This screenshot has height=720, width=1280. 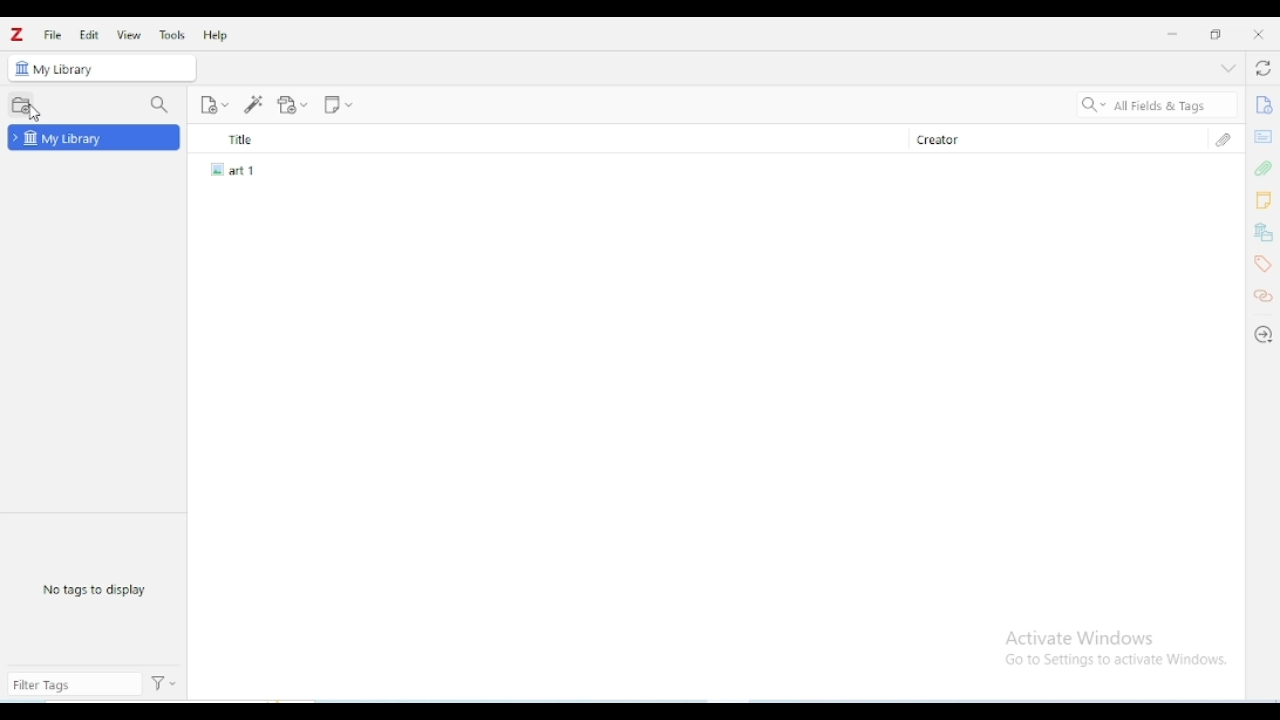 I want to click on help, so click(x=214, y=35).